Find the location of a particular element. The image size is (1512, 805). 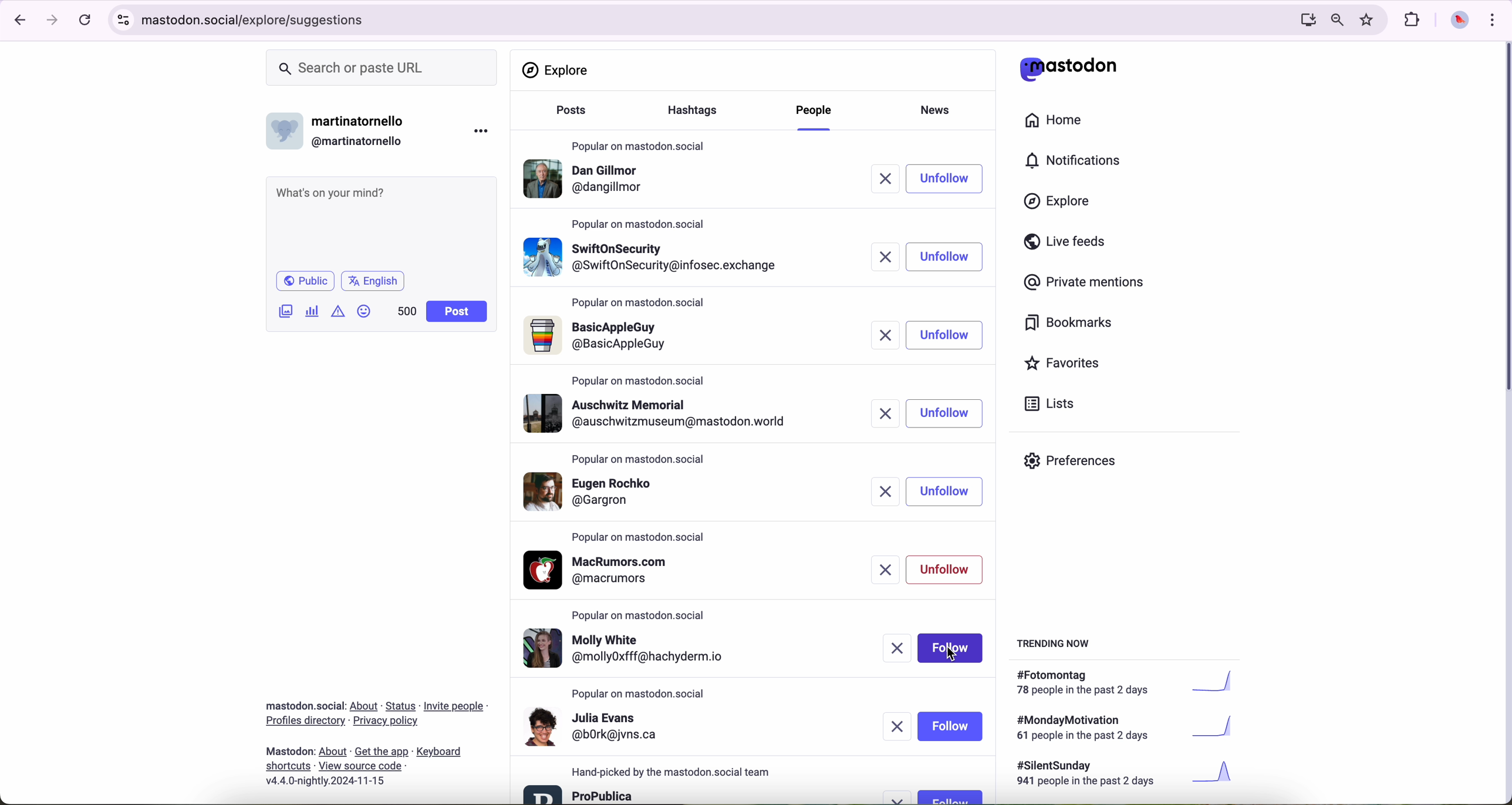

remove is located at coordinates (897, 649).